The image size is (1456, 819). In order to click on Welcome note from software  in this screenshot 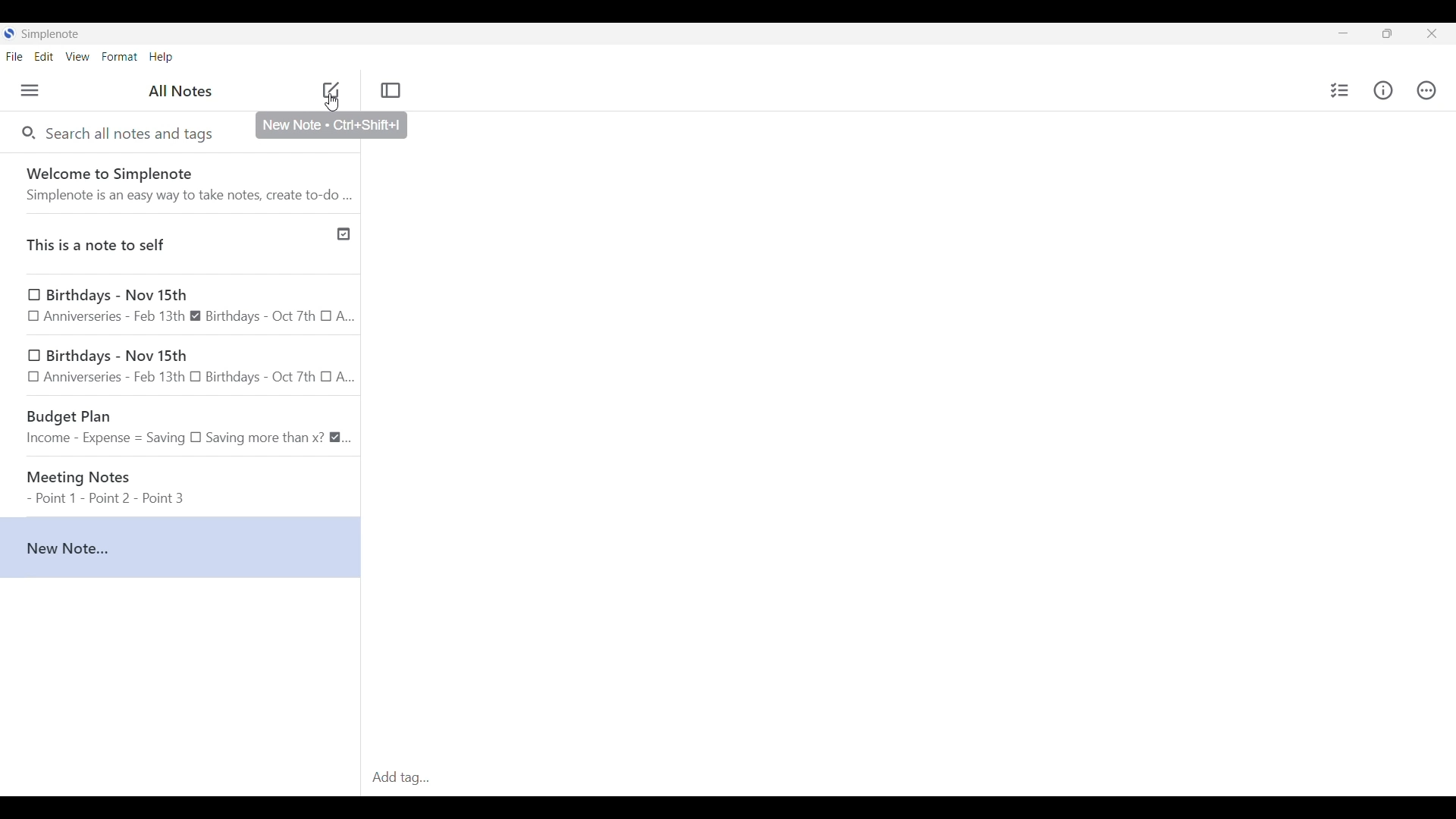, I will do `click(184, 182)`.